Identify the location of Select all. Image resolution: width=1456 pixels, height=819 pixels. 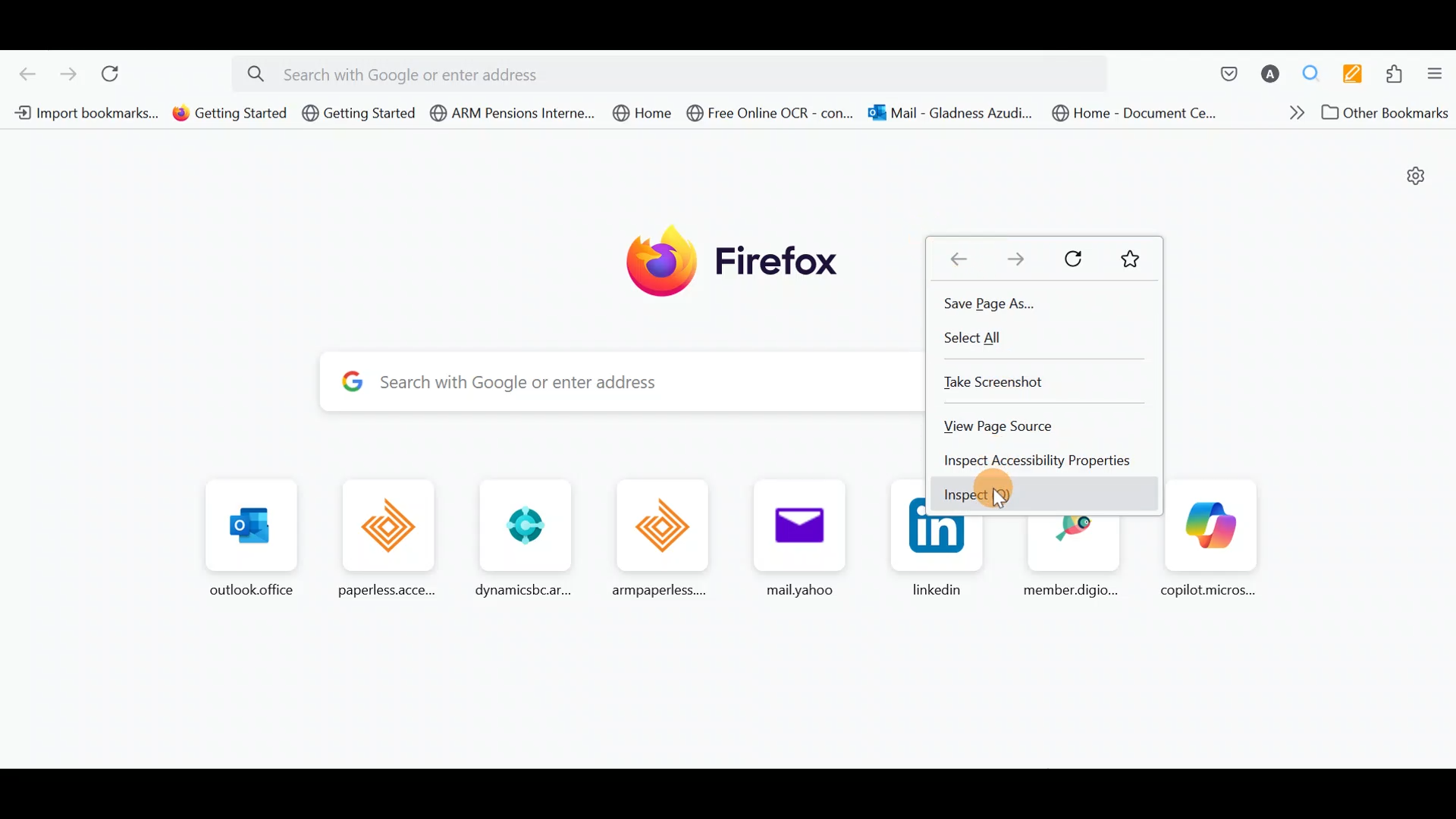
(971, 338).